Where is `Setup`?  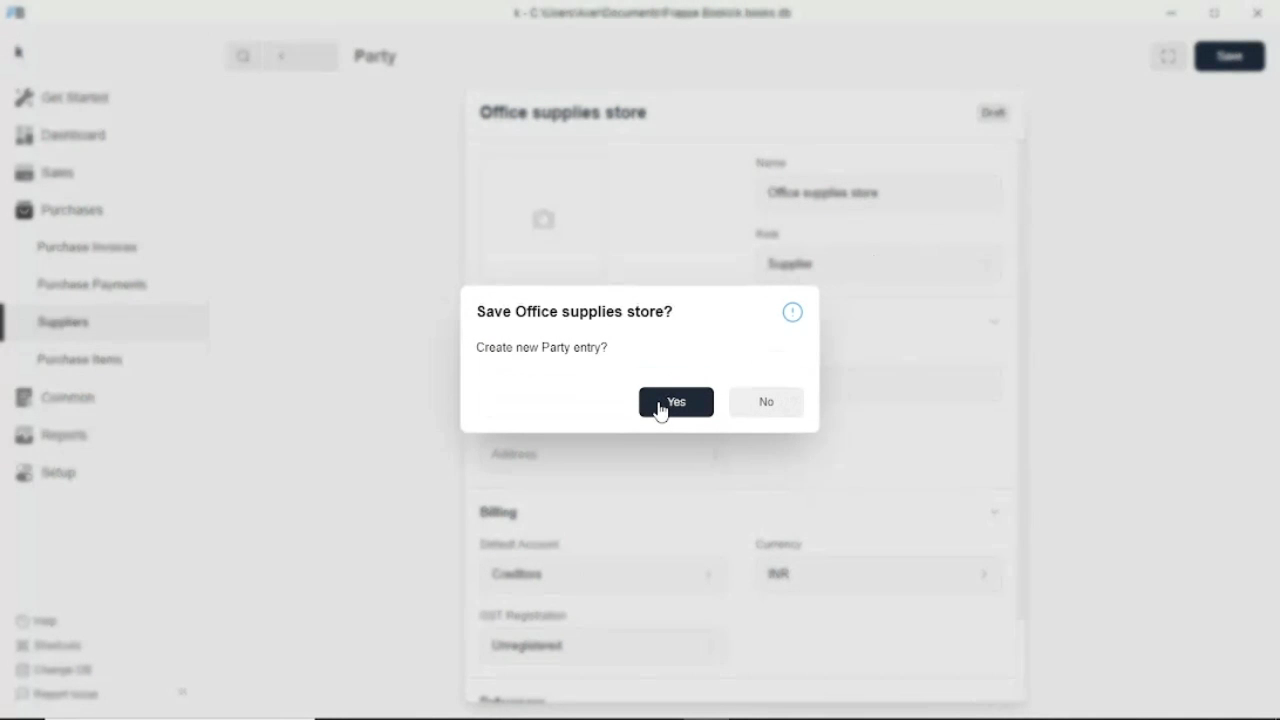 Setup is located at coordinates (46, 473).